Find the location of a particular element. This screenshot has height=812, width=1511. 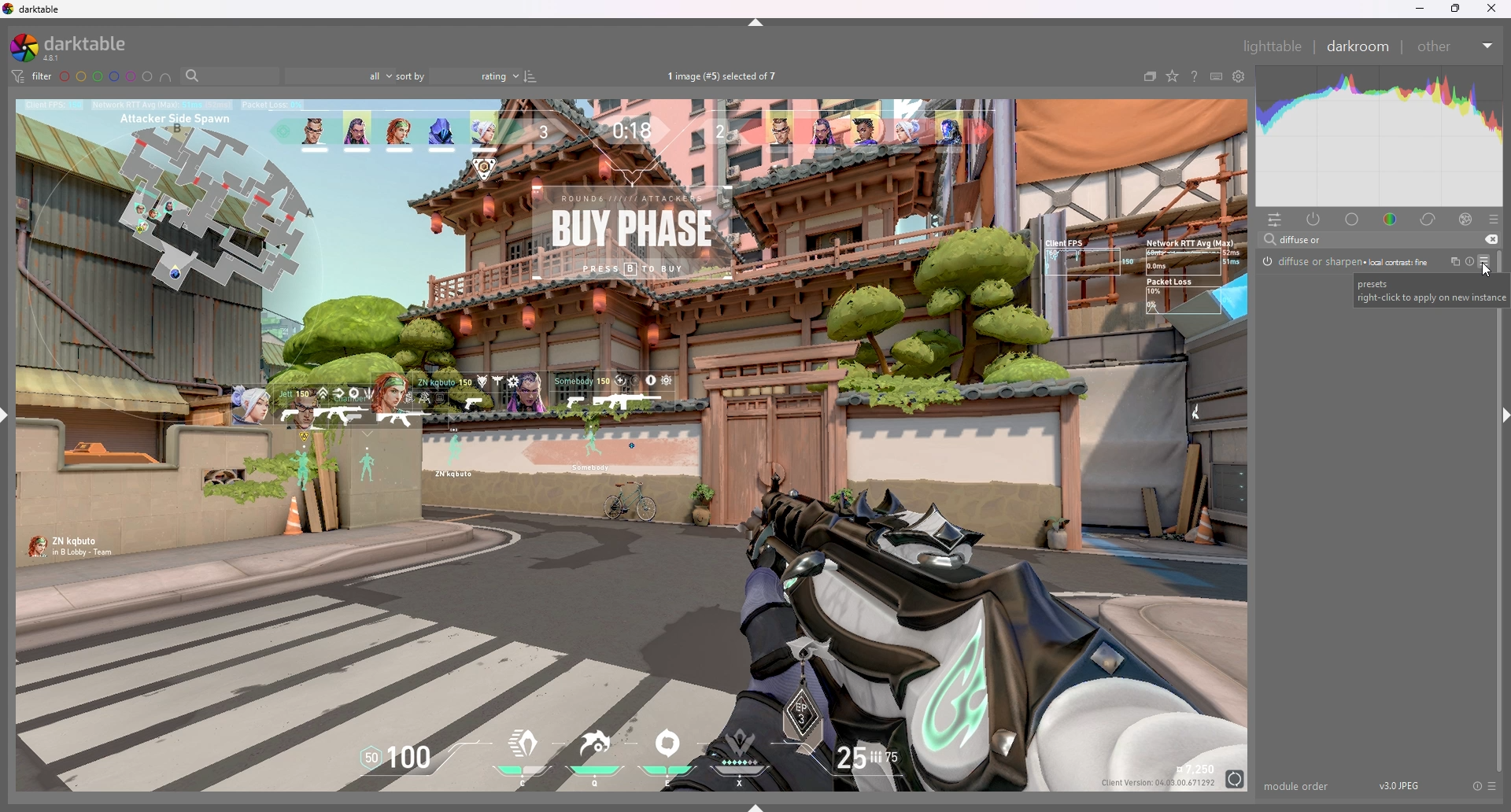

module order is located at coordinates (1299, 786).